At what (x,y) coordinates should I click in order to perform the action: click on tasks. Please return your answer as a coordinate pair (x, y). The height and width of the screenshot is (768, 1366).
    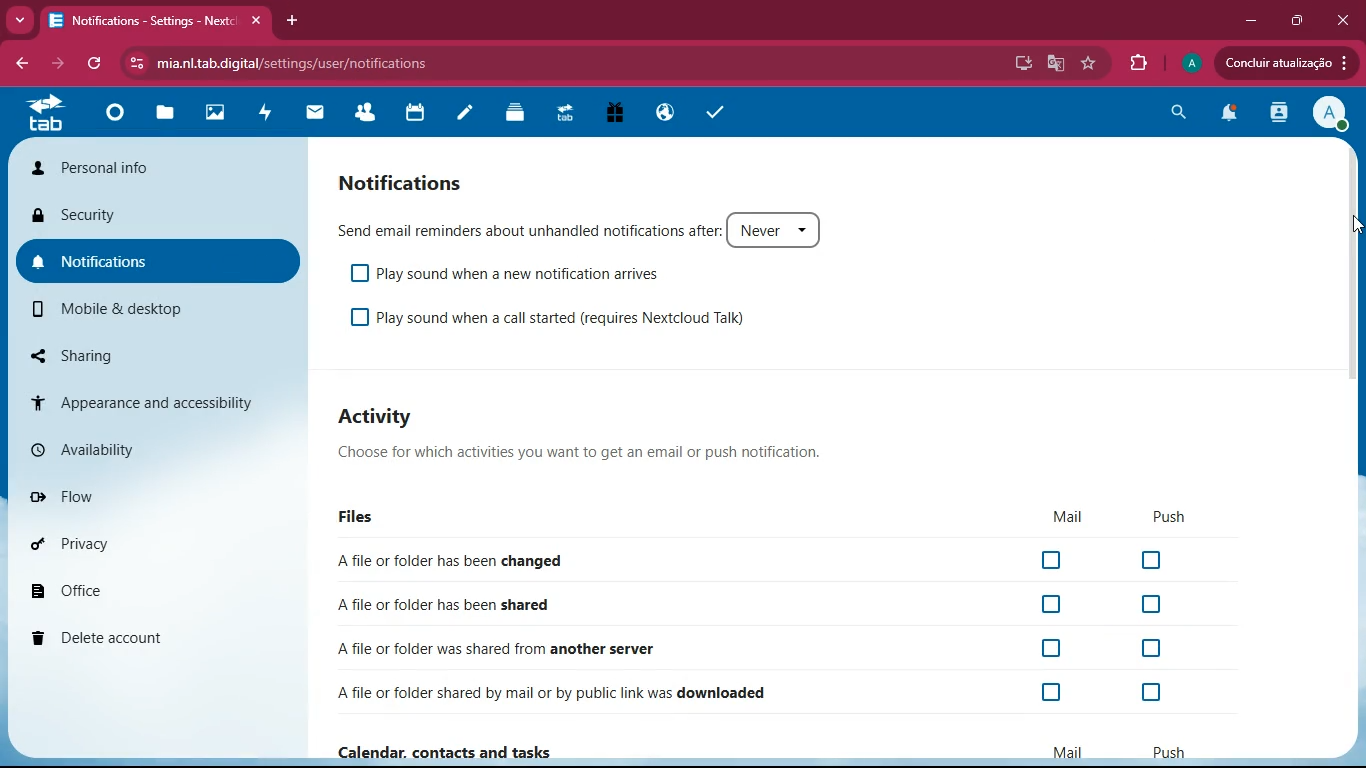
    Looking at the image, I should click on (718, 114).